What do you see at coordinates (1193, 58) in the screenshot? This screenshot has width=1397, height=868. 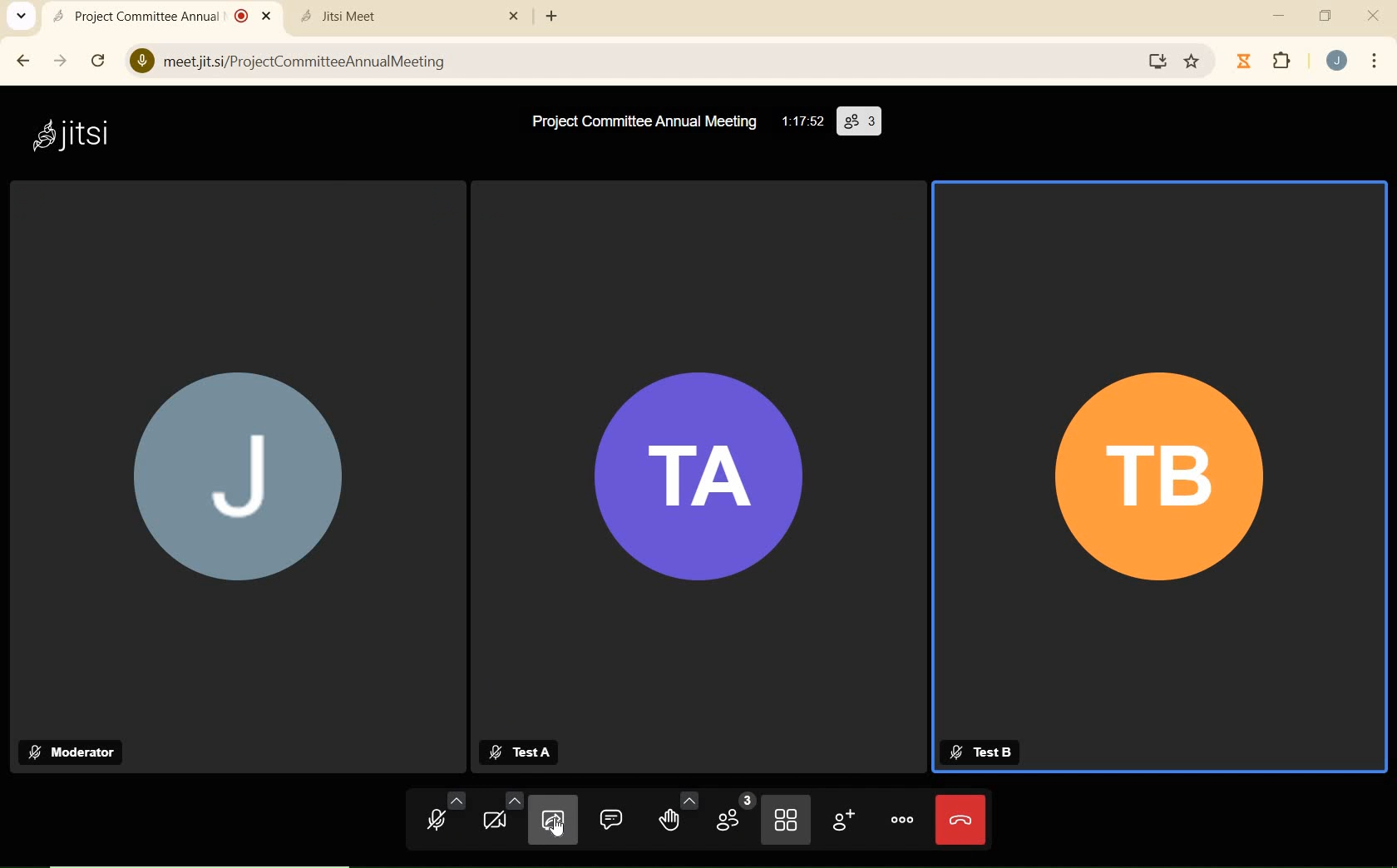 I see `favorite` at bounding box center [1193, 58].